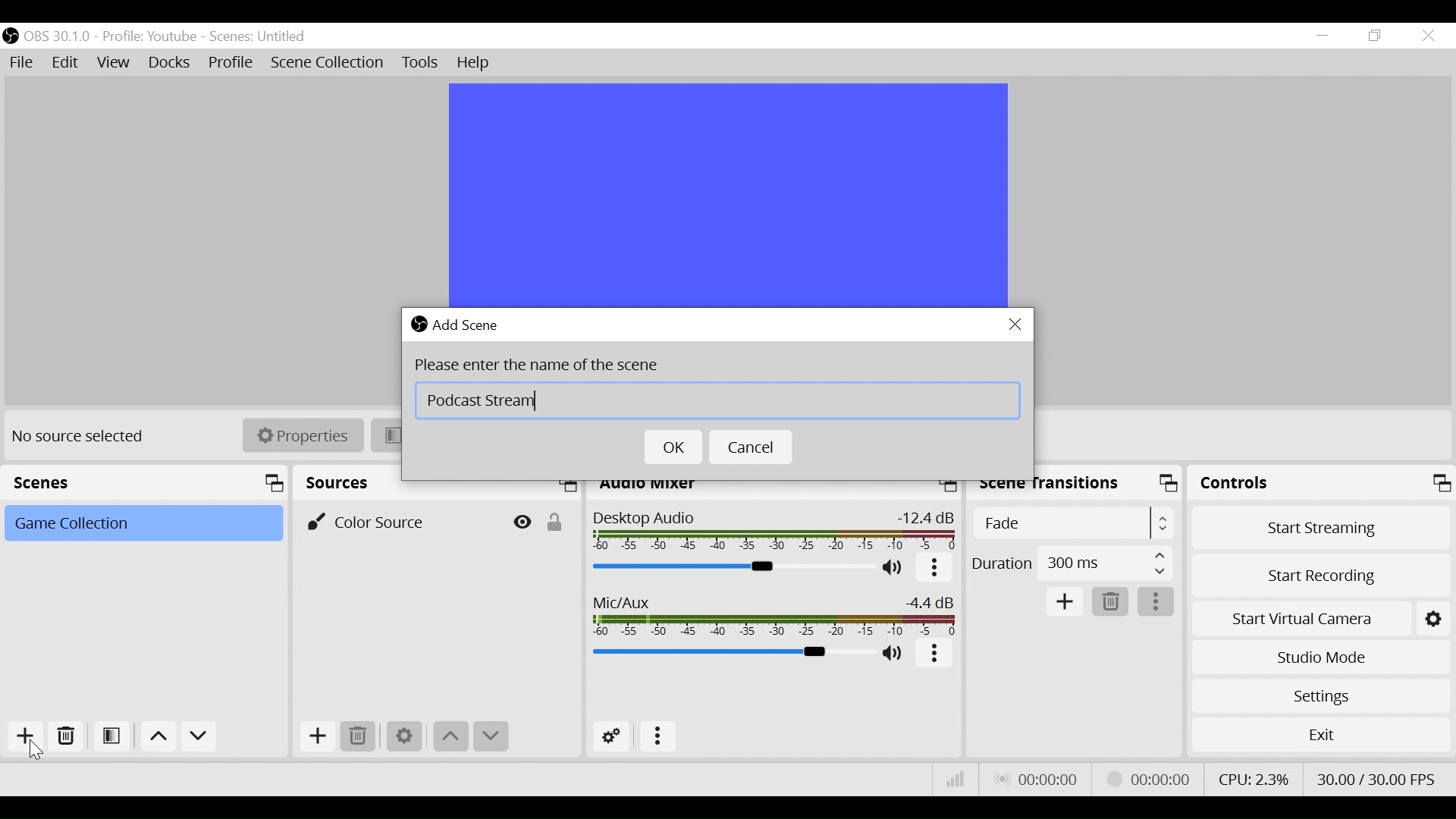 The height and width of the screenshot is (819, 1456). Describe the element at coordinates (954, 778) in the screenshot. I see `Bitrate` at that location.